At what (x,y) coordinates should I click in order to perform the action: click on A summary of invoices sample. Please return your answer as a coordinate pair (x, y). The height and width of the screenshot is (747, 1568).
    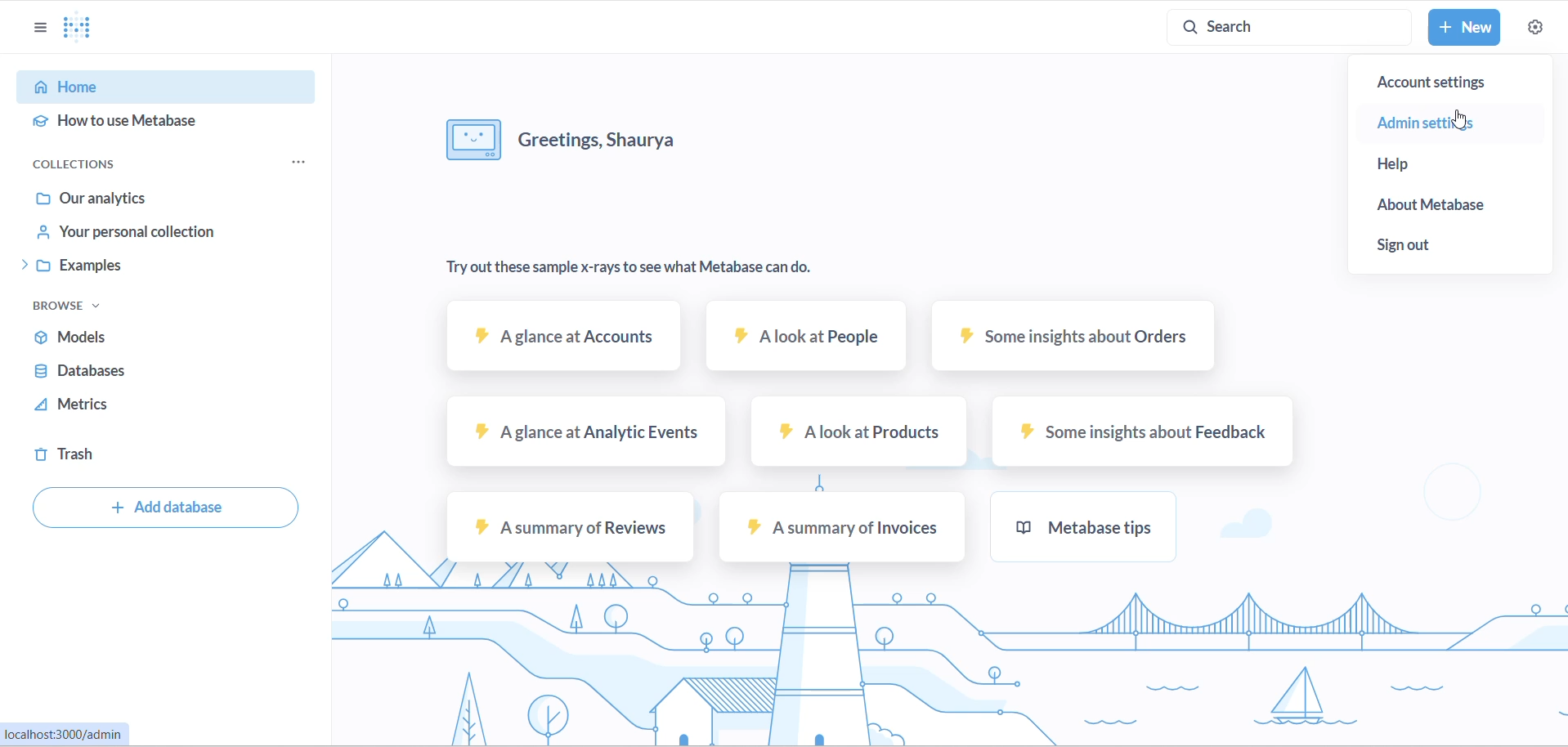
    Looking at the image, I should click on (841, 528).